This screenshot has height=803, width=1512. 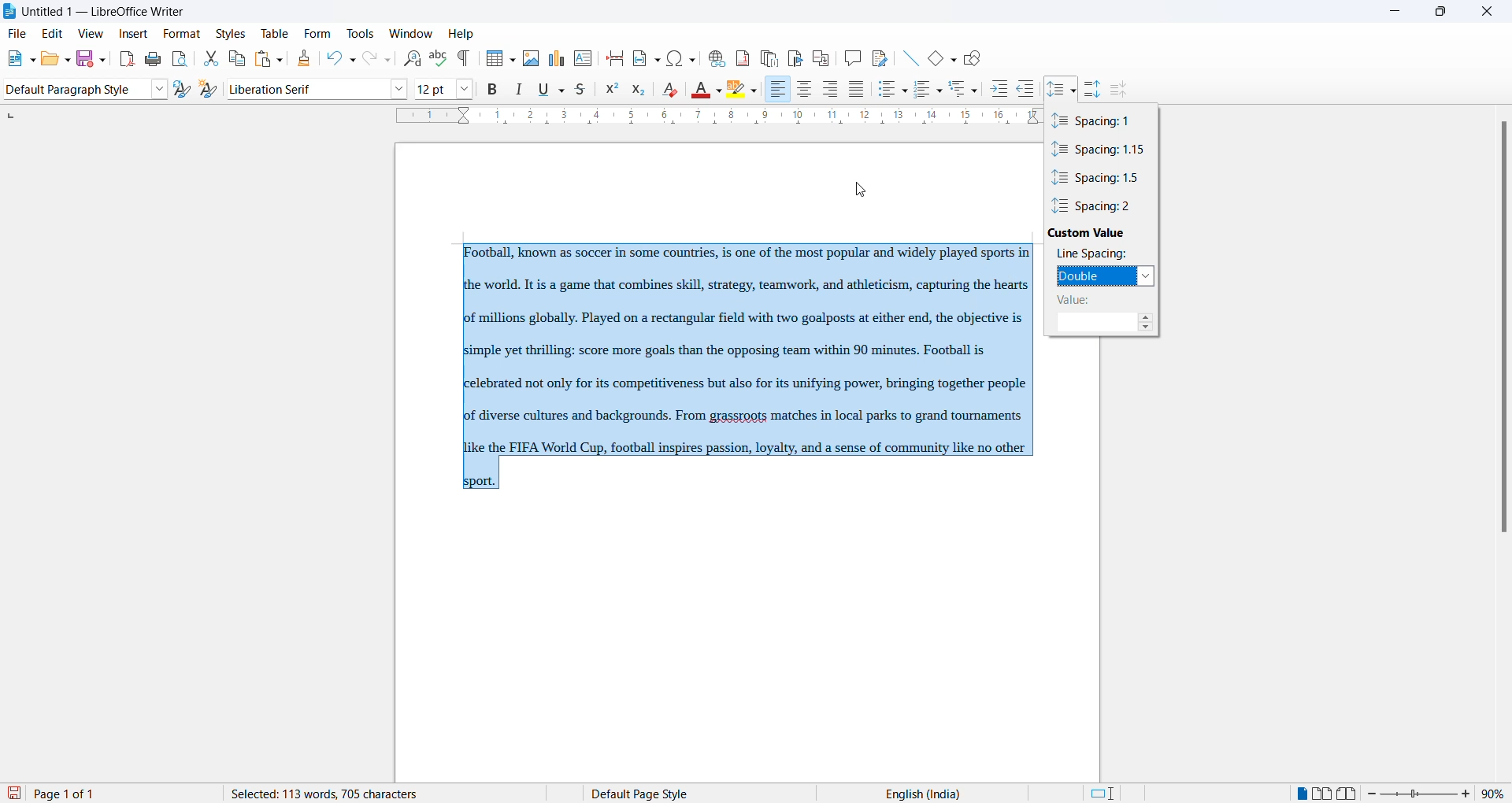 I want to click on font name, so click(x=306, y=88).